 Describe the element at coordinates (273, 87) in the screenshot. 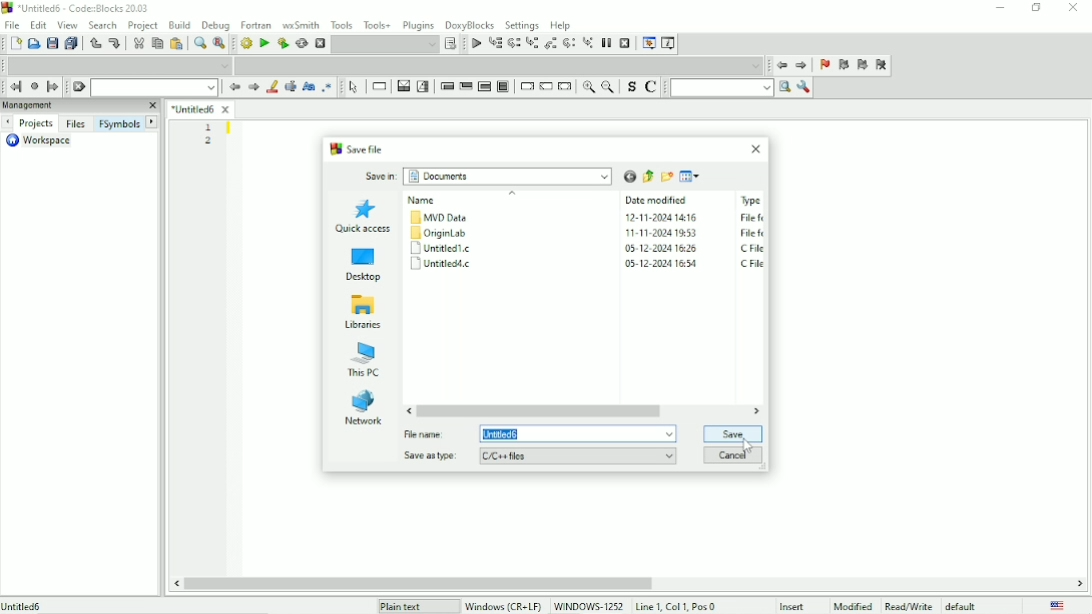

I see `Highlight` at that location.